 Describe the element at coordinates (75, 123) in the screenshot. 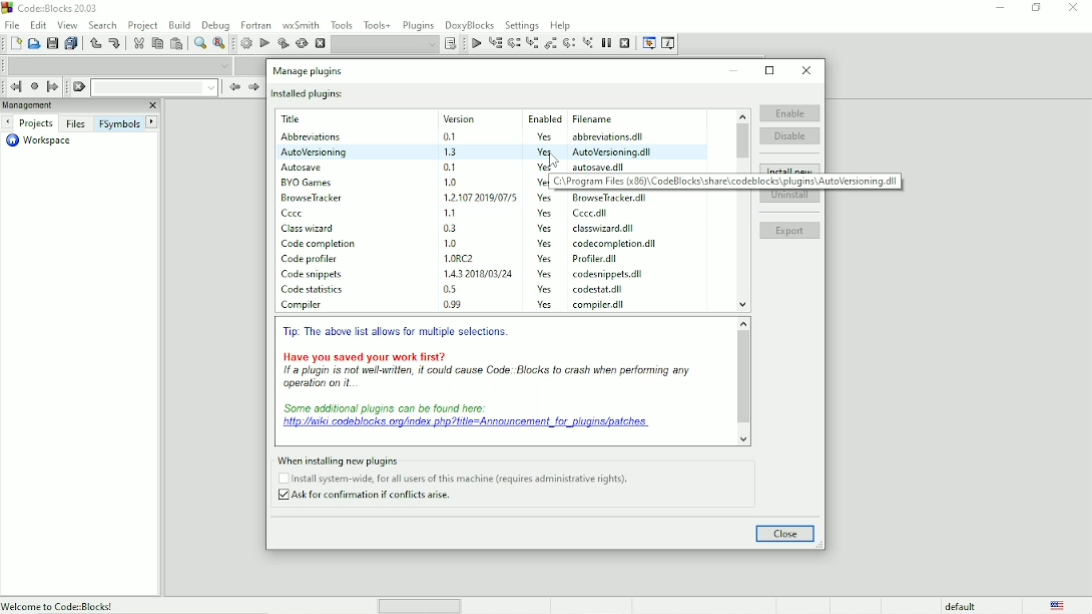

I see `Files` at that location.